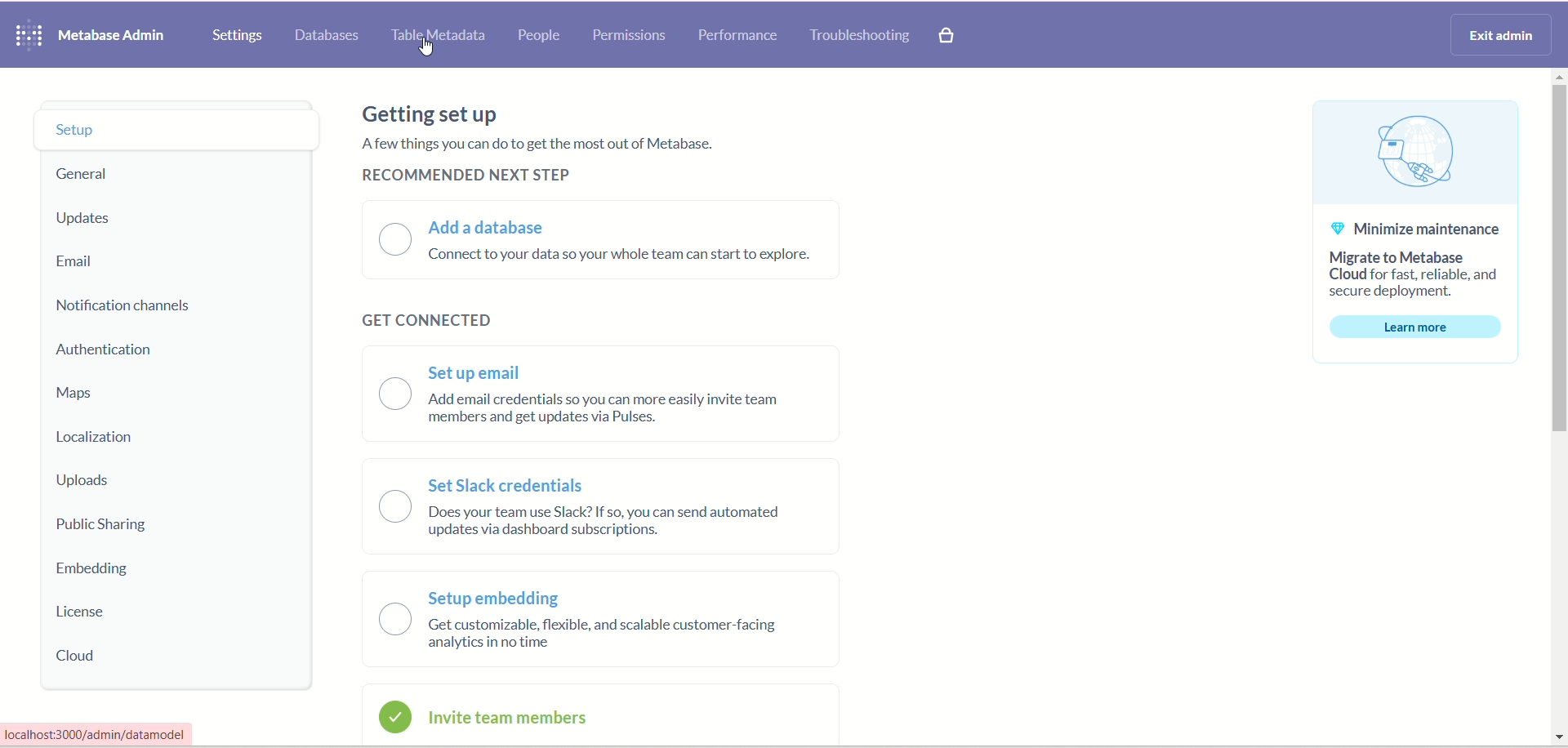  I want to click on public sharing, so click(109, 531).